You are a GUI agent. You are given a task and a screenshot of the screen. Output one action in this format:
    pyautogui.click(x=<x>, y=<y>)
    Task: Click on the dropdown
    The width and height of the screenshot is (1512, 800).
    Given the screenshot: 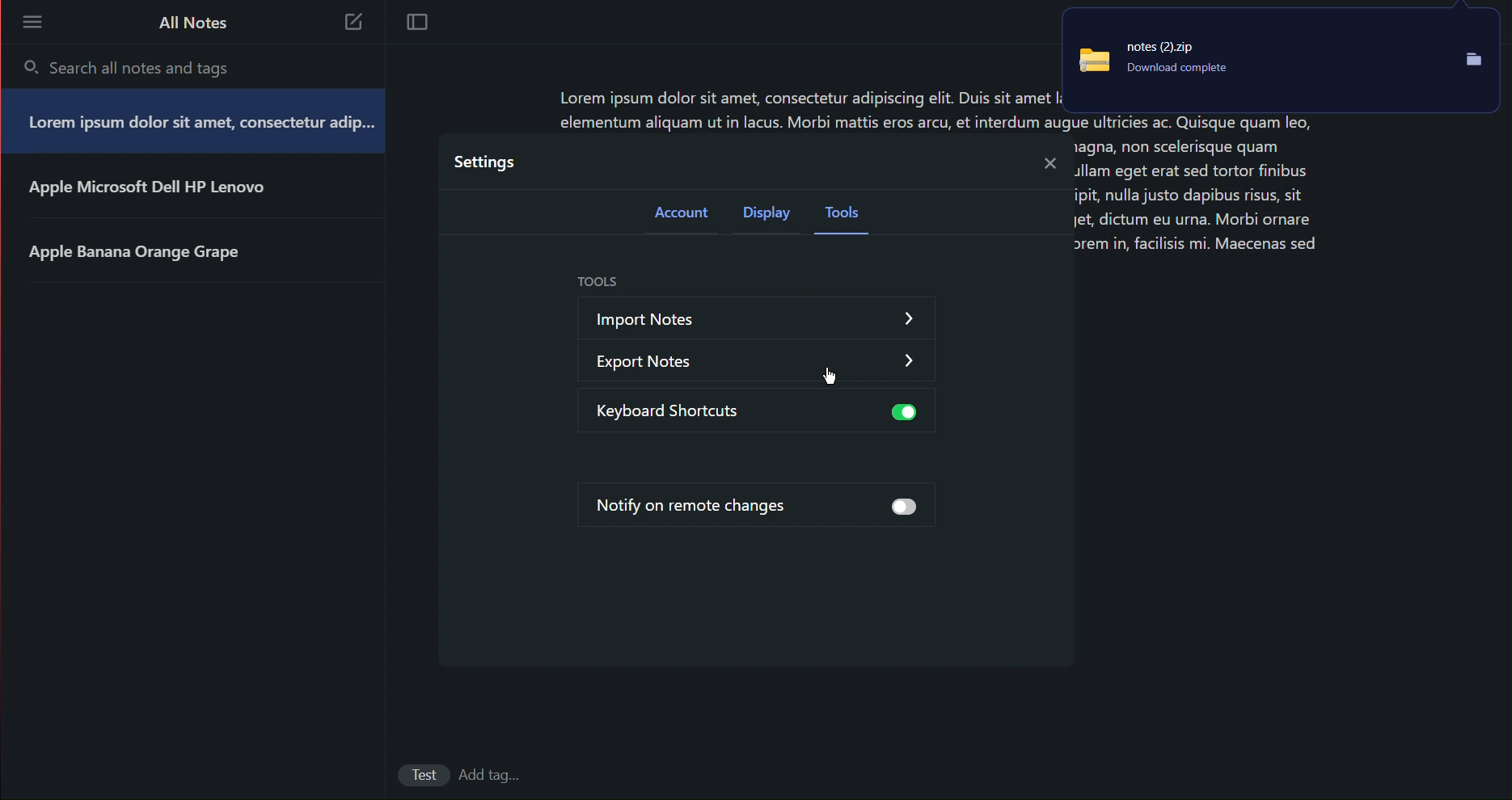 What is the action you would take?
    pyautogui.click(x=910, y=318)
    